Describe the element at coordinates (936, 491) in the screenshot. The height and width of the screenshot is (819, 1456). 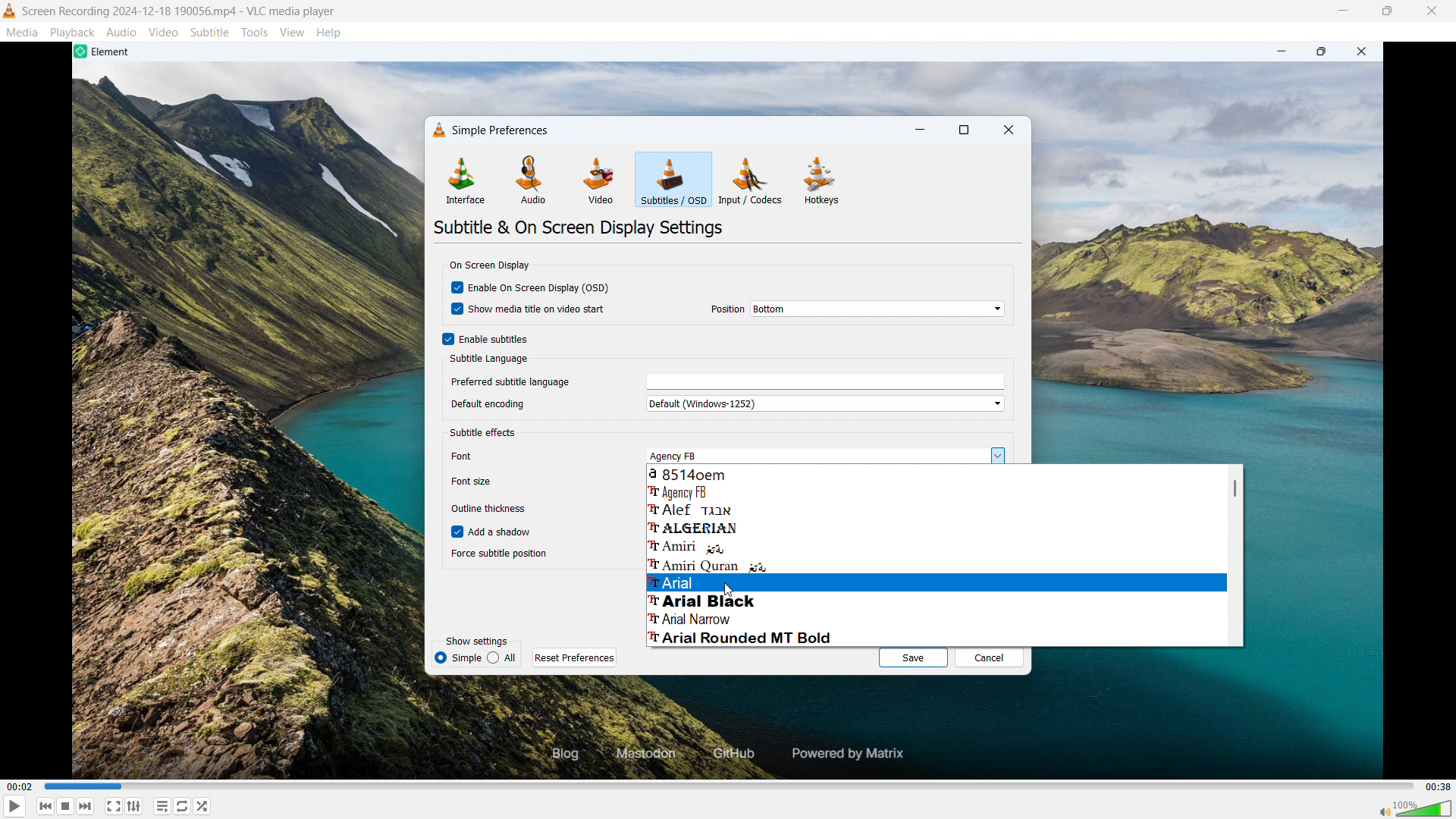
I see `agency fb` at that location.